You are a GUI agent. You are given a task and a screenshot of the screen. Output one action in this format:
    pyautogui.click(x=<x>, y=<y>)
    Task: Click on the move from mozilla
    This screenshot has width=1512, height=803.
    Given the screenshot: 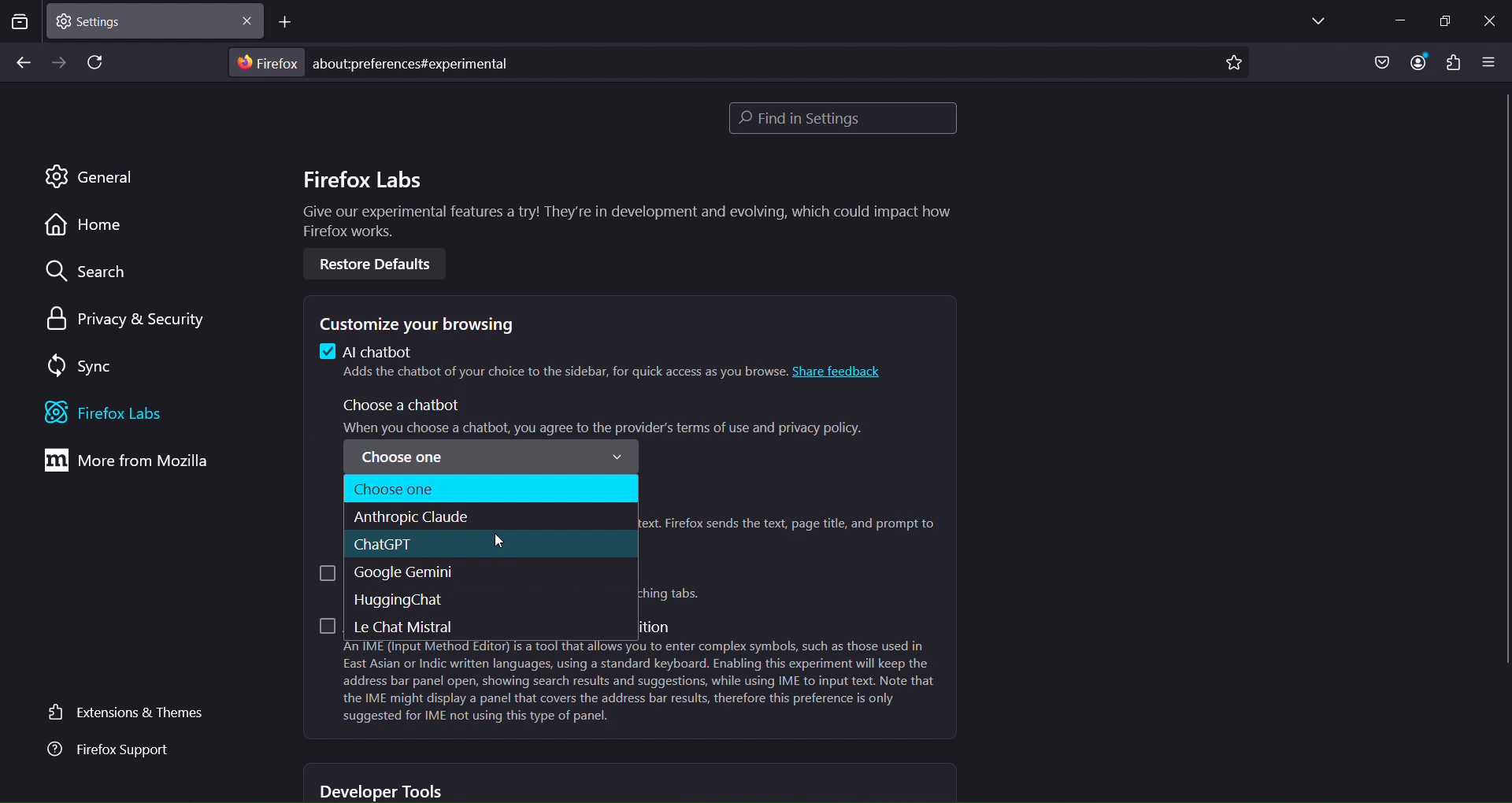 What is the action you would take?
    pyautogui.click(x=132, y=464)
    